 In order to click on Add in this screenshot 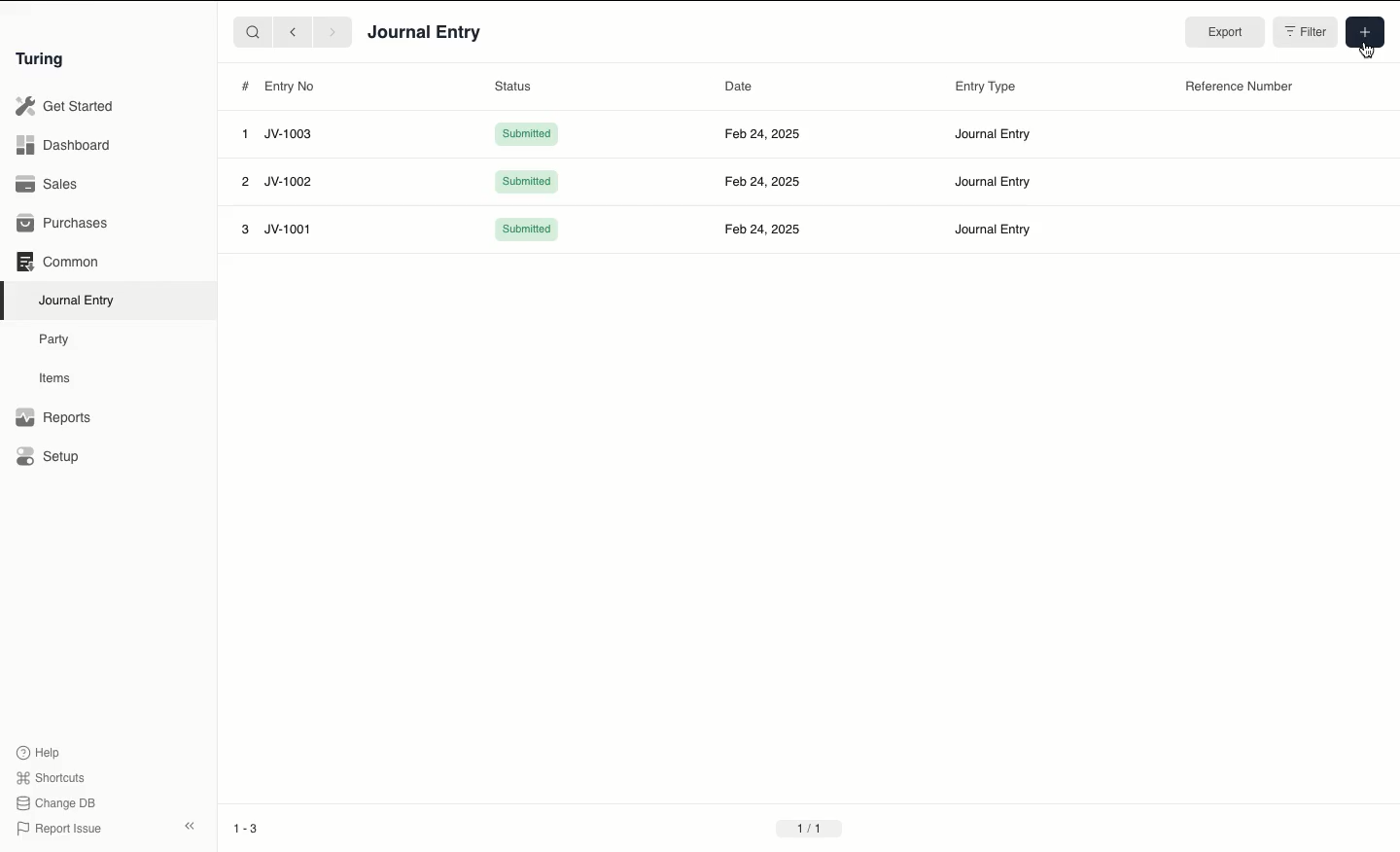, I will do `click(1363, 31)`.